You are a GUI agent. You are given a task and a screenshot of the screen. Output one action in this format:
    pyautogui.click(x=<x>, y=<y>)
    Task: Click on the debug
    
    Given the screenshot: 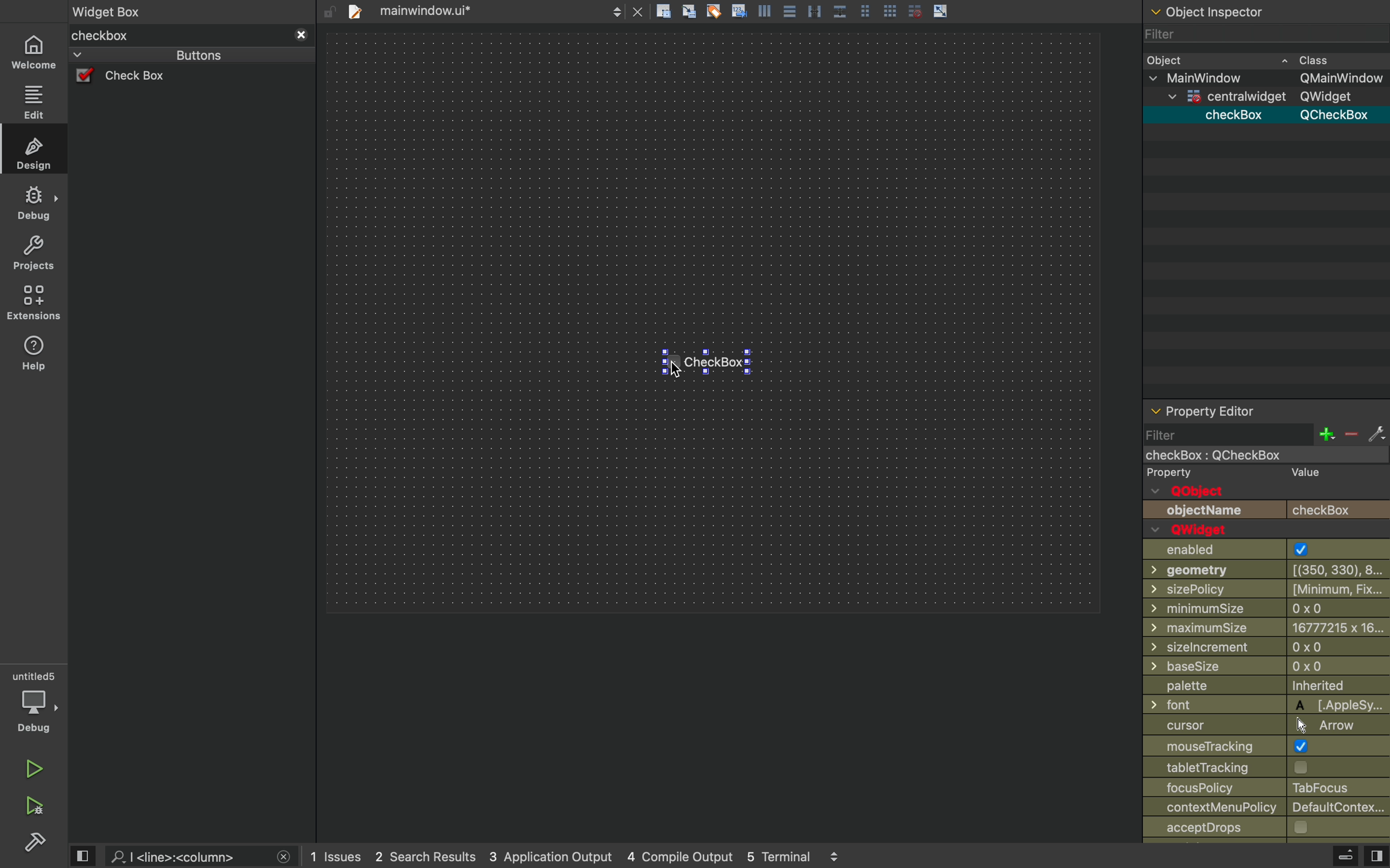 What is the action you would take?
    pyautogui.click(x=34, y=702)
    